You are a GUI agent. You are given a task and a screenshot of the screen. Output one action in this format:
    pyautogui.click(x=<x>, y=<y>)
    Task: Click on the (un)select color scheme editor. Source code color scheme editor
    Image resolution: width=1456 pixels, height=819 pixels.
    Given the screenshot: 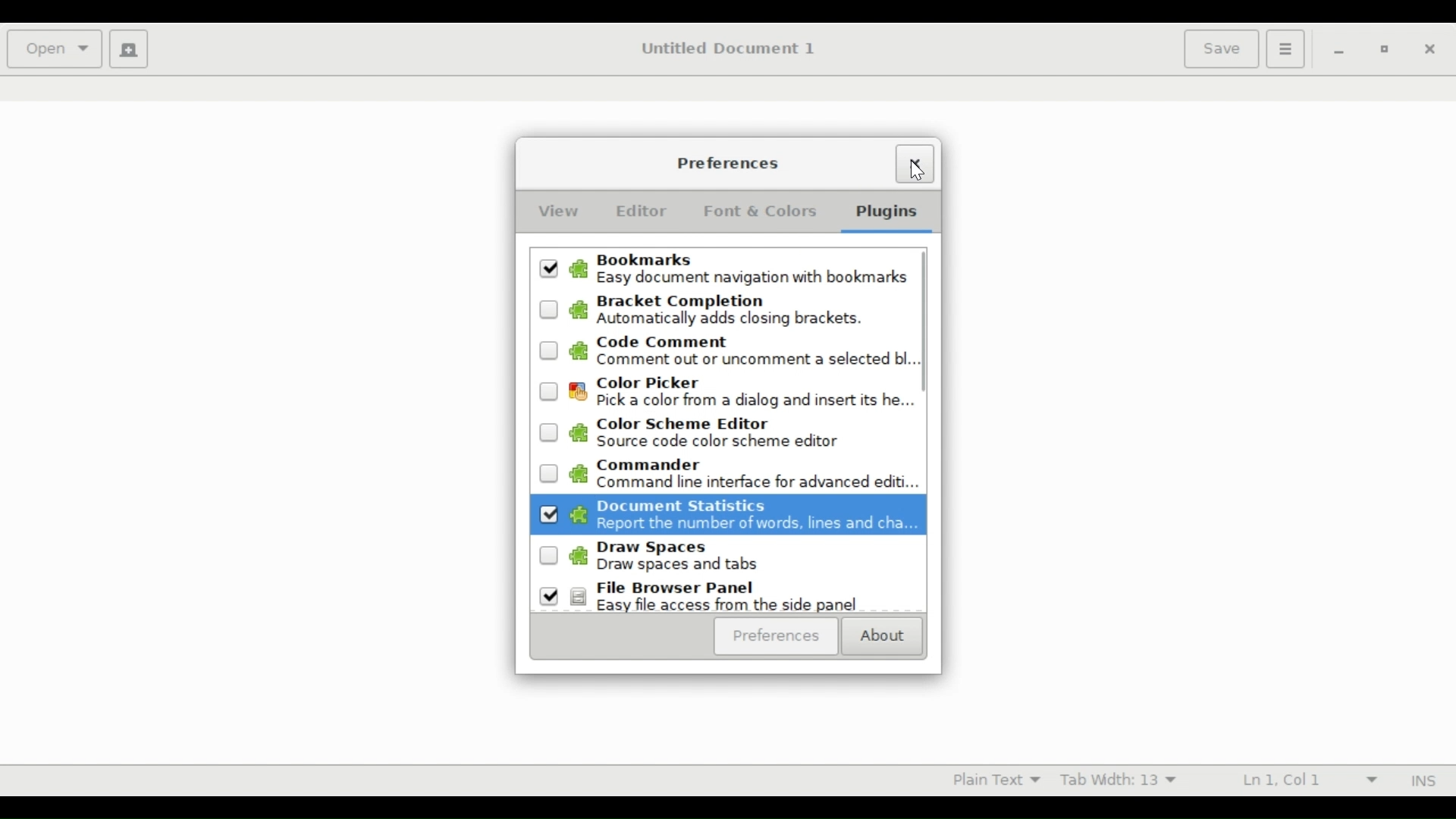 What is the action you would take?
    pyautogui.click(x=740, y=433)
    